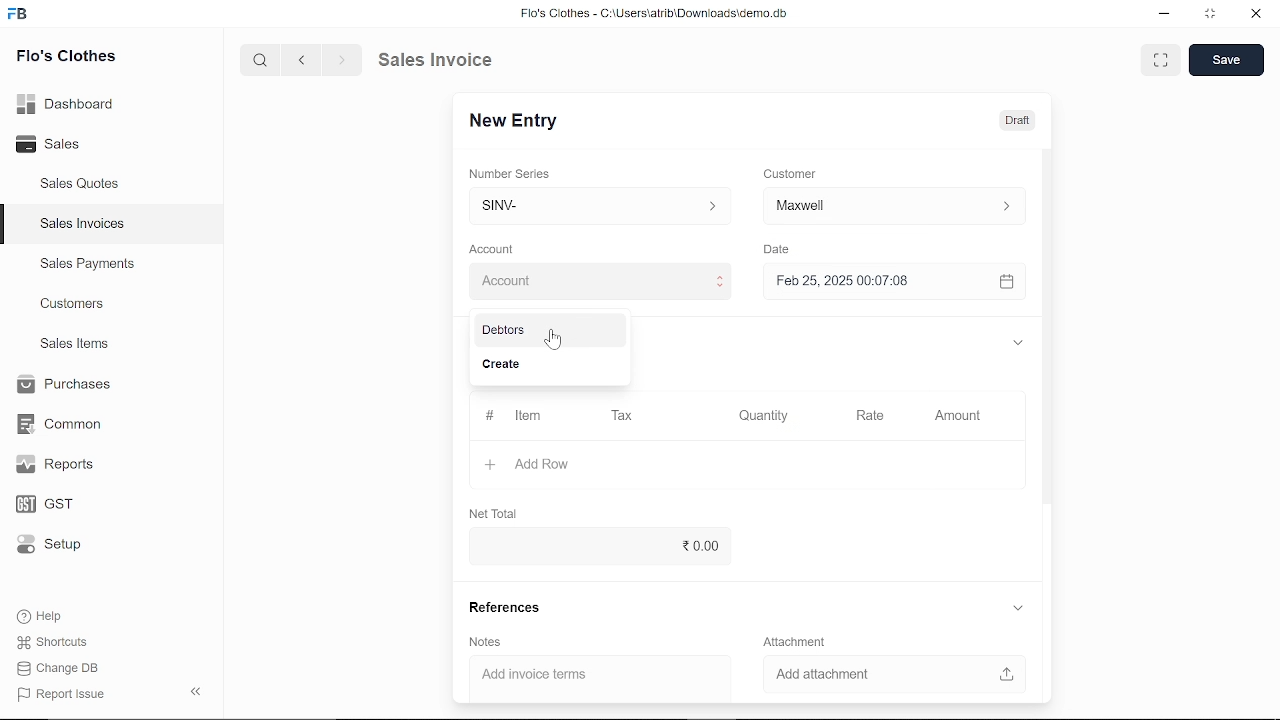 Image resolution: width=1280 pixels, height=720 pixels. I want to click on expand, so click(1162, 60).